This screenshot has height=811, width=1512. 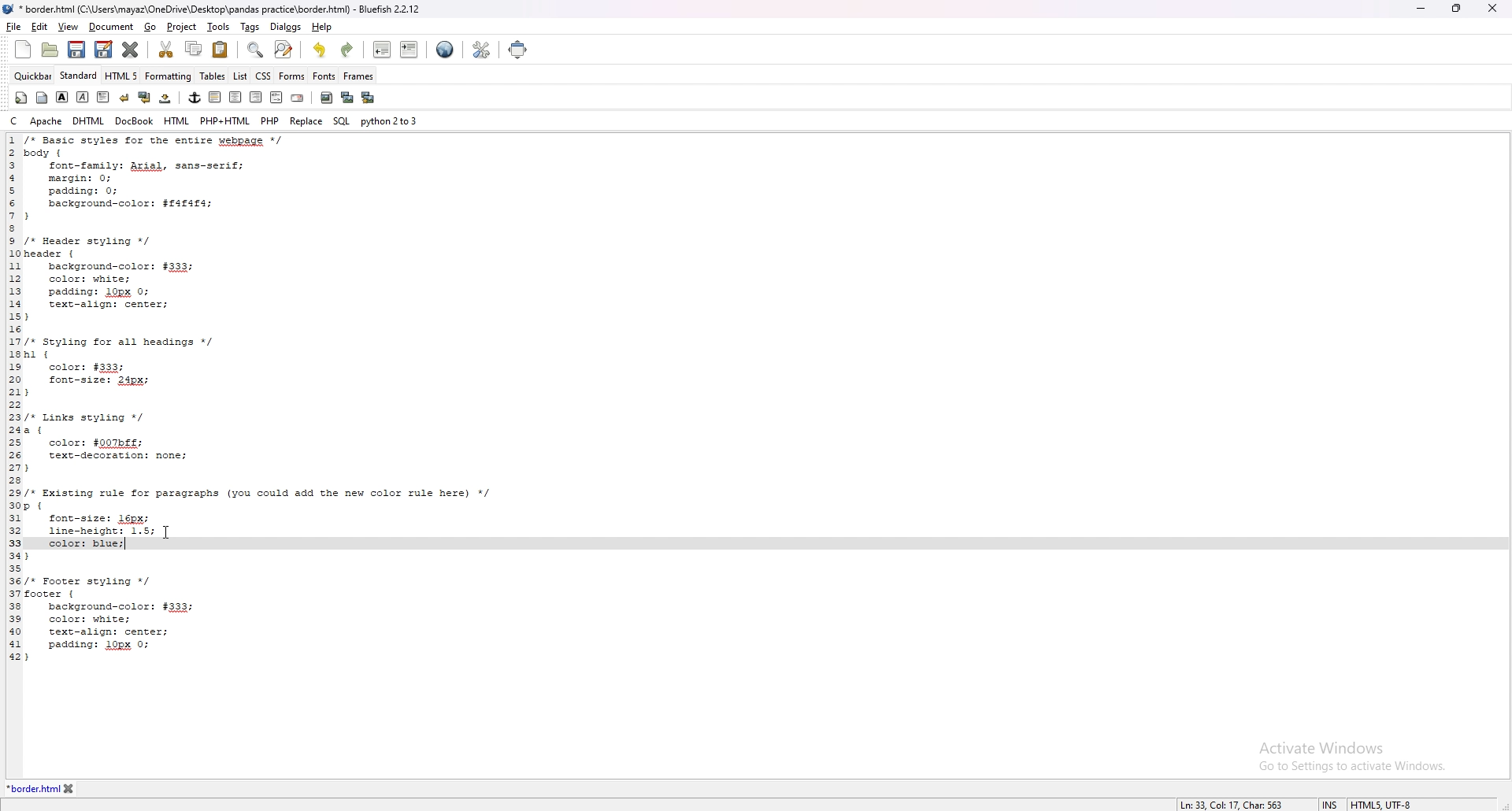 What do you see at coordinates (306, 120) in the screenshot?
I see `replace` at bounding box center [306, 120].